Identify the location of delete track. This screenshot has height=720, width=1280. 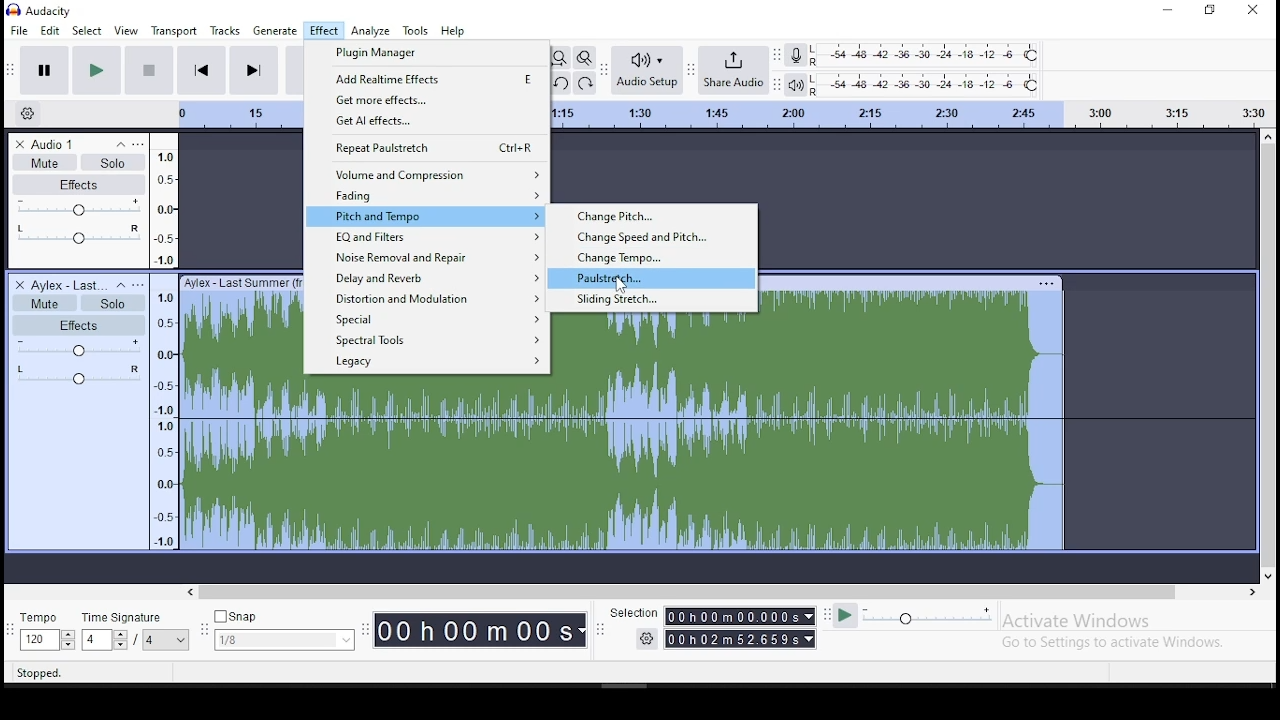
(21, 284).